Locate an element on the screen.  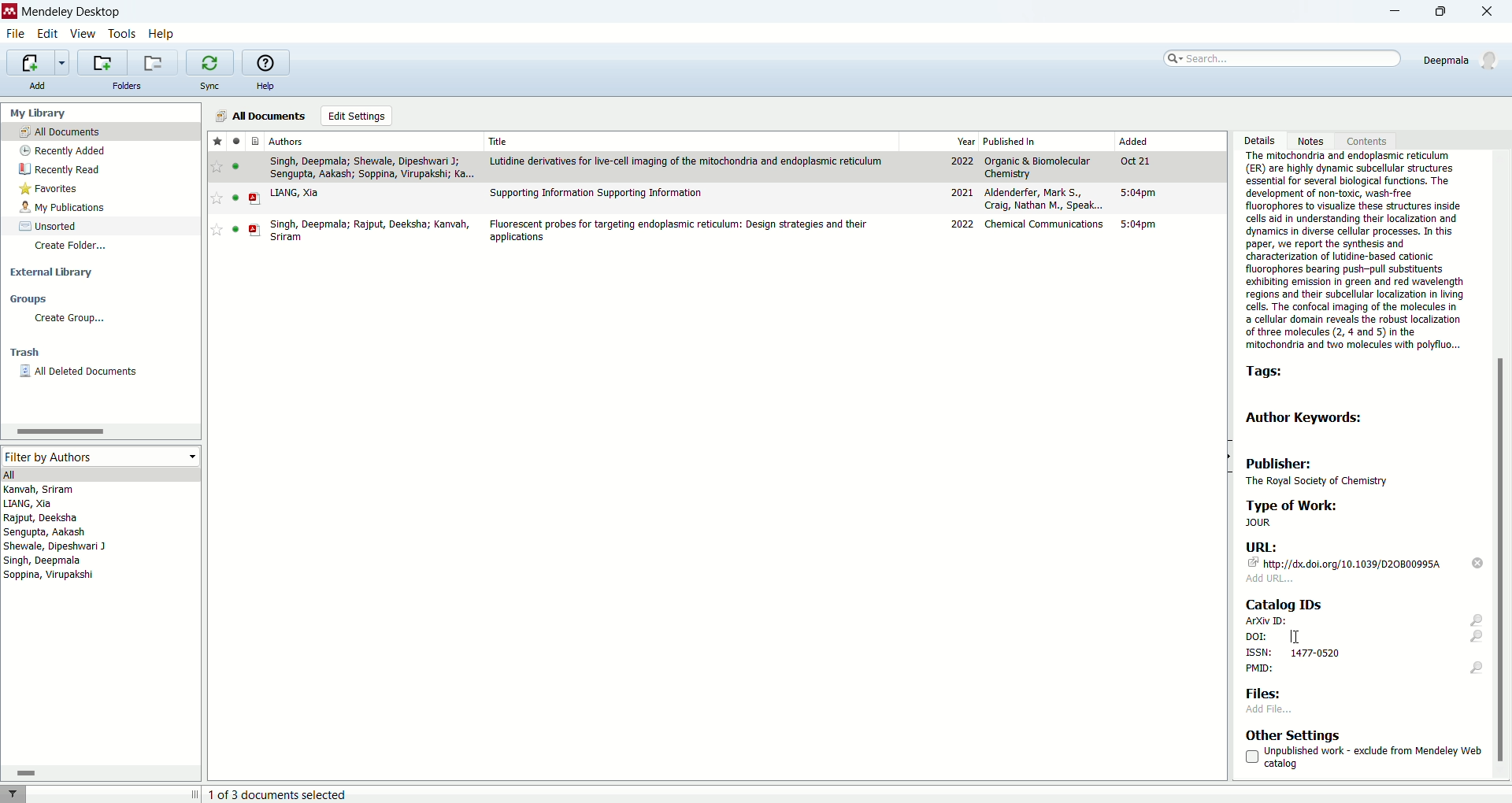
title is located at coordinates (500, 141).